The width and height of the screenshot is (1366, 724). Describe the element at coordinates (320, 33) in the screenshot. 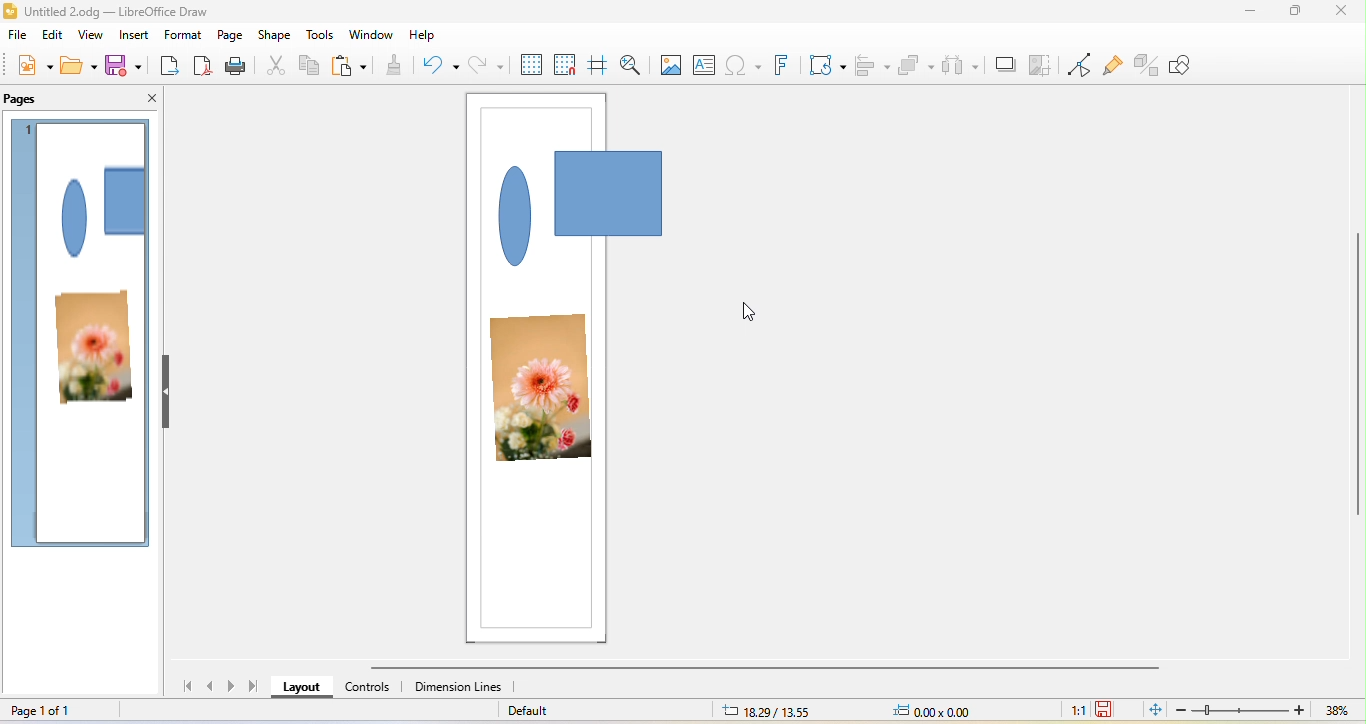

I see `tools` at that location.